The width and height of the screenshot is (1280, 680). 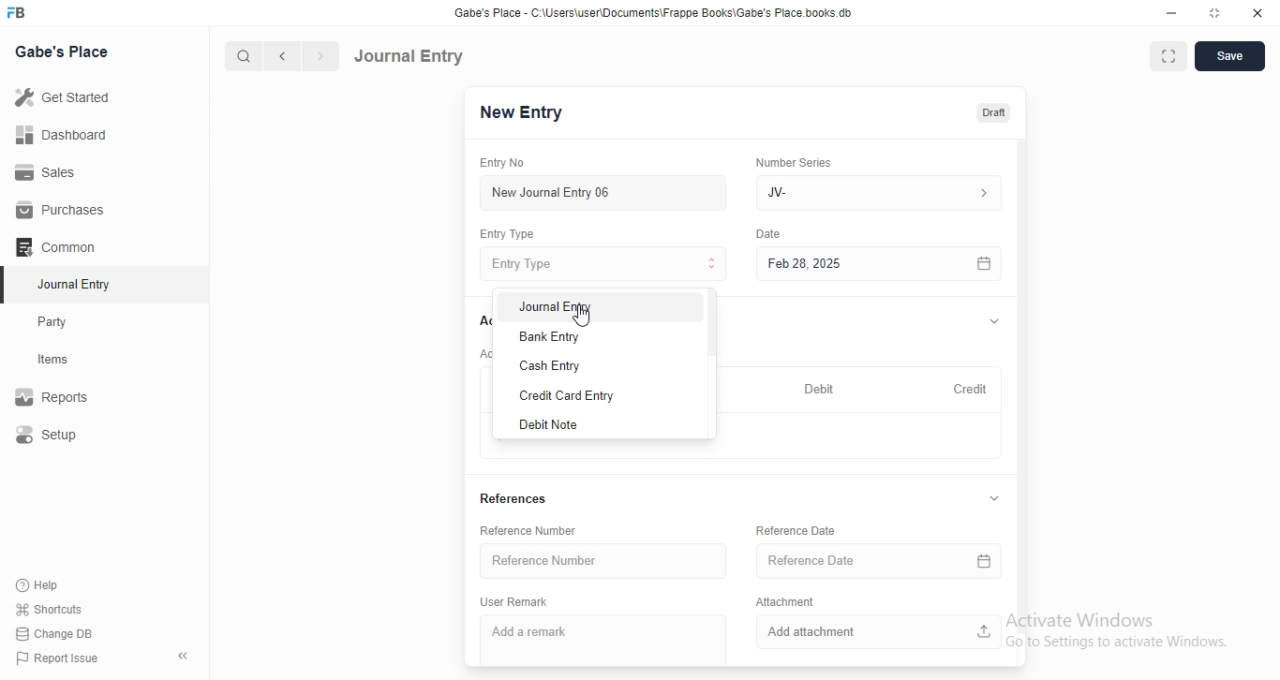 I want to click on Party, so click(x=66, y=322).